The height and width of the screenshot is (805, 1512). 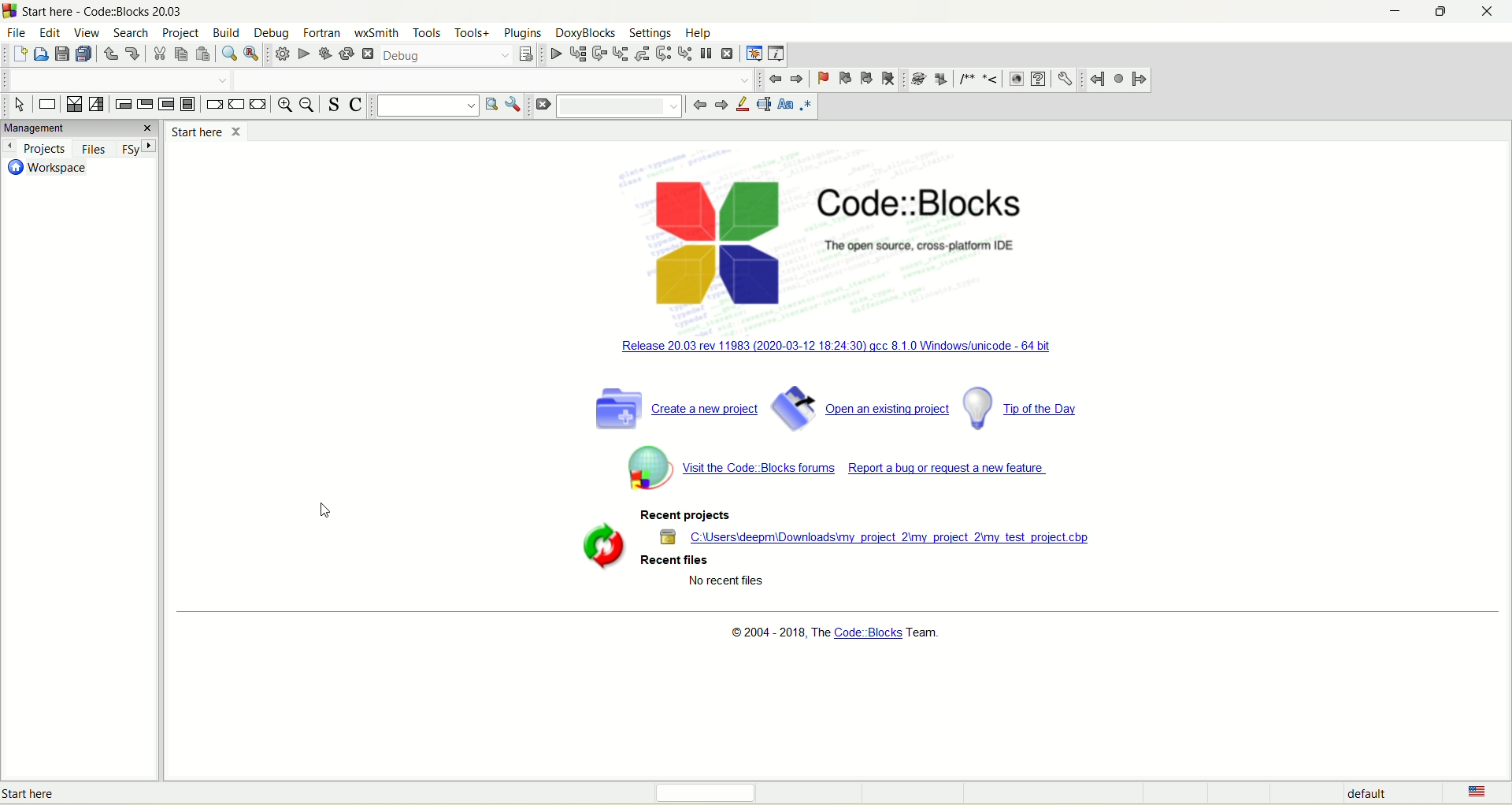 I want to click on wxSmith, so click(x=375, y=33).